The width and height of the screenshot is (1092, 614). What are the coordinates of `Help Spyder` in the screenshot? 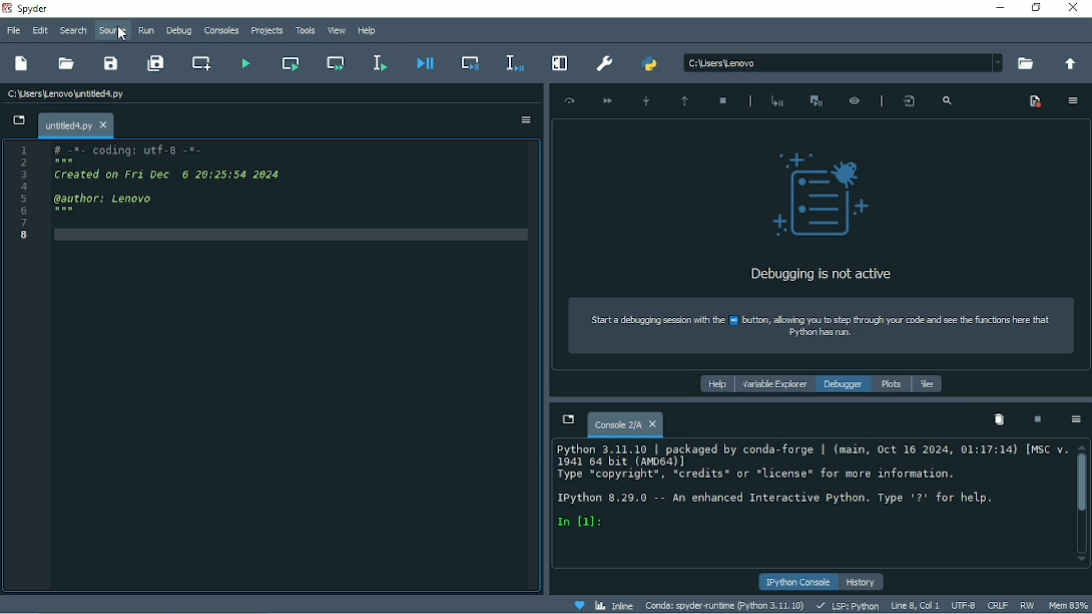 It's located at (579, 605).